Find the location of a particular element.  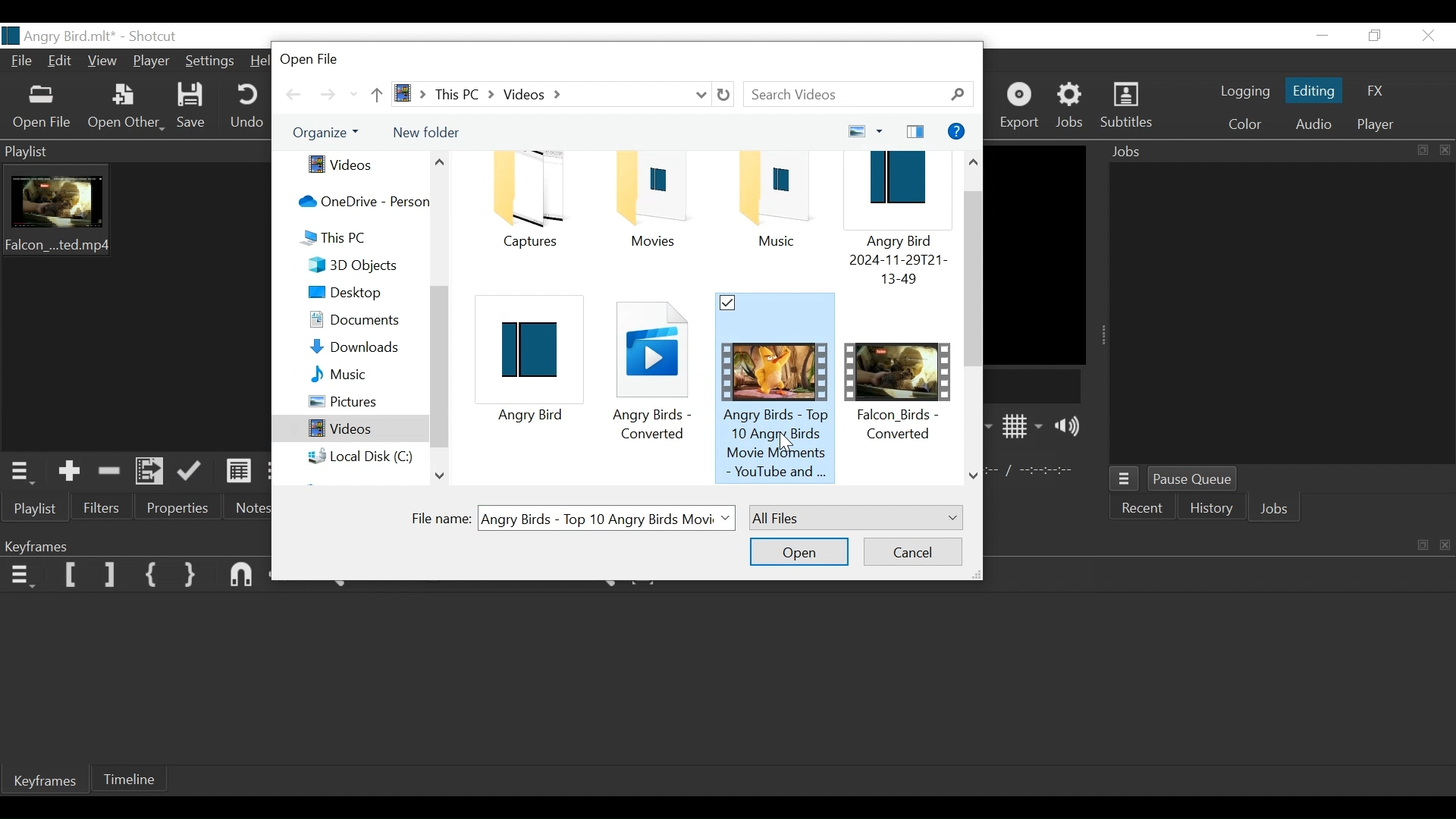

Player is located at coordinates (1378, 124).